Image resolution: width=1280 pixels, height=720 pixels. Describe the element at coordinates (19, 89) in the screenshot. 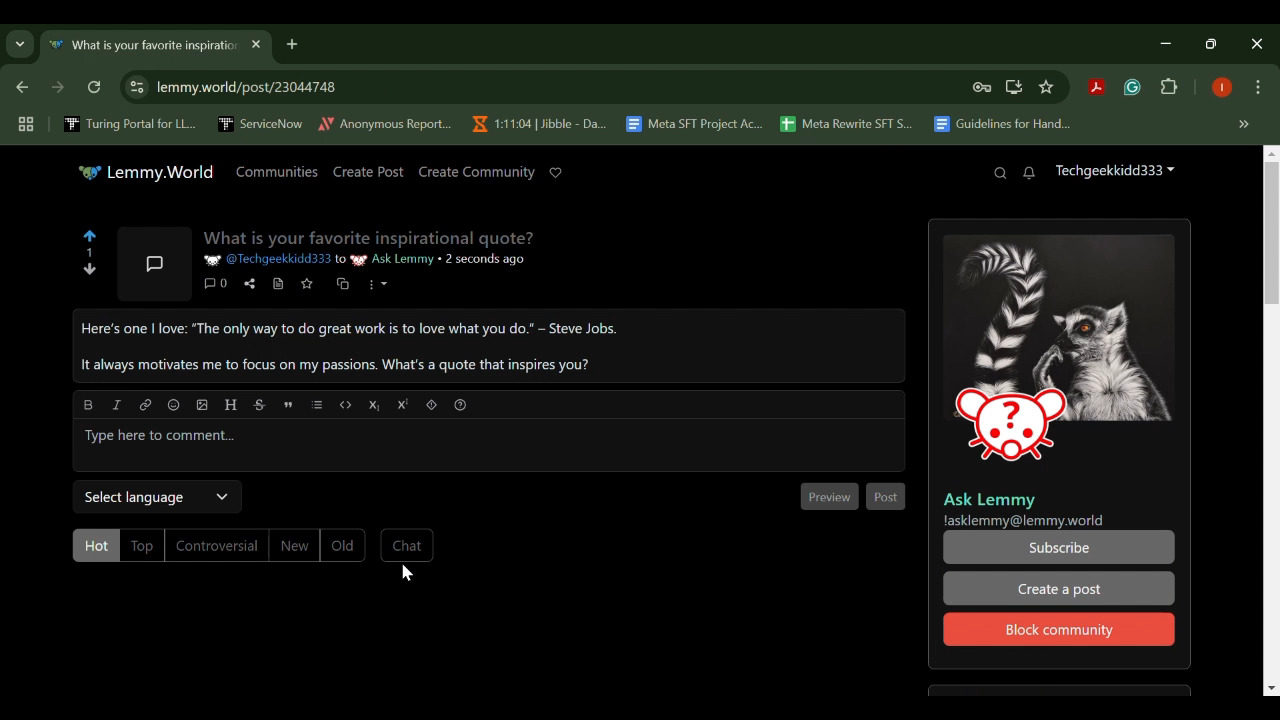

I see `Previous Webpage` at that location.